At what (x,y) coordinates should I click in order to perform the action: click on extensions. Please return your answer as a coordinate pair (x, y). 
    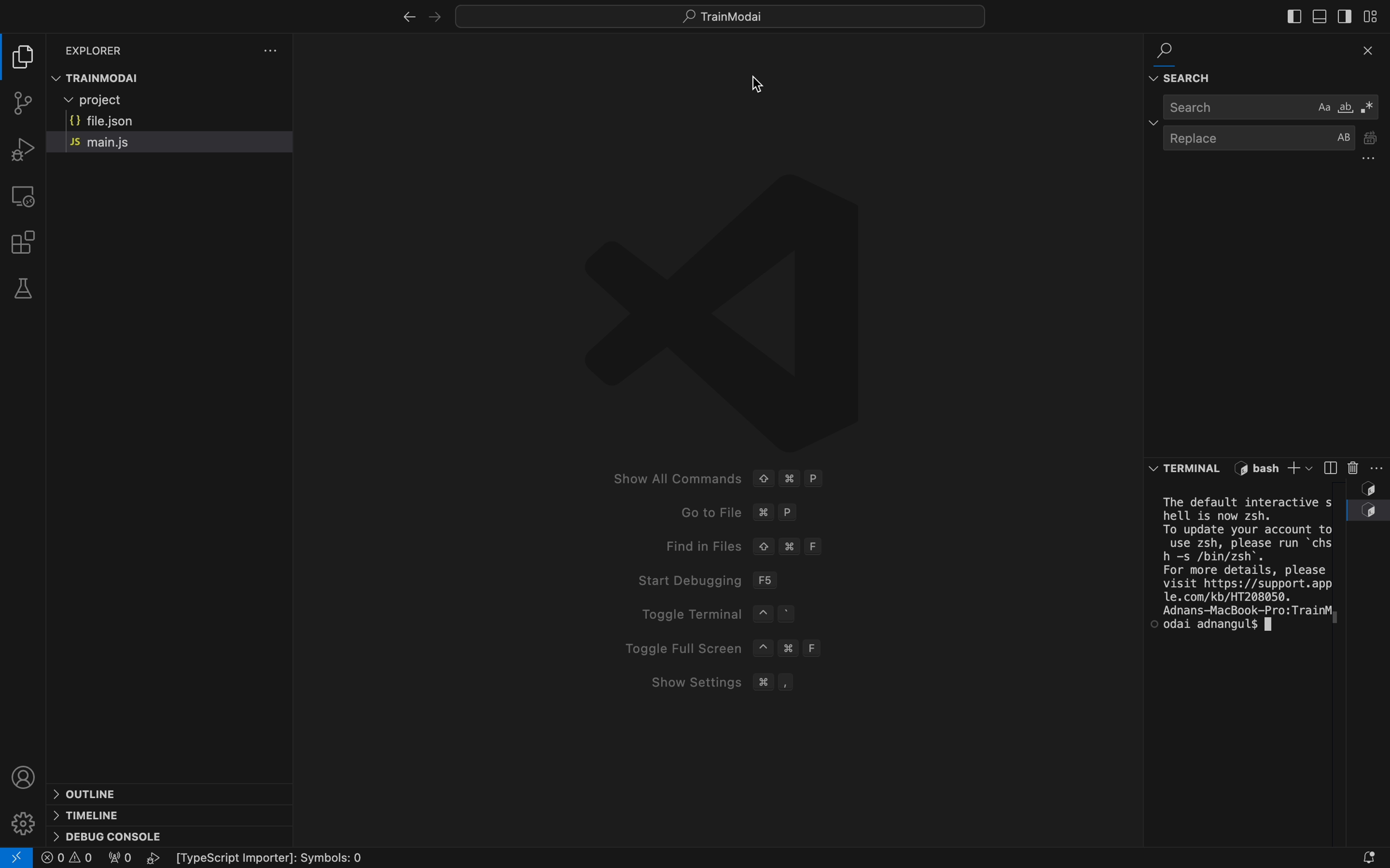
    Looking at the image, I should click on (28, 242).